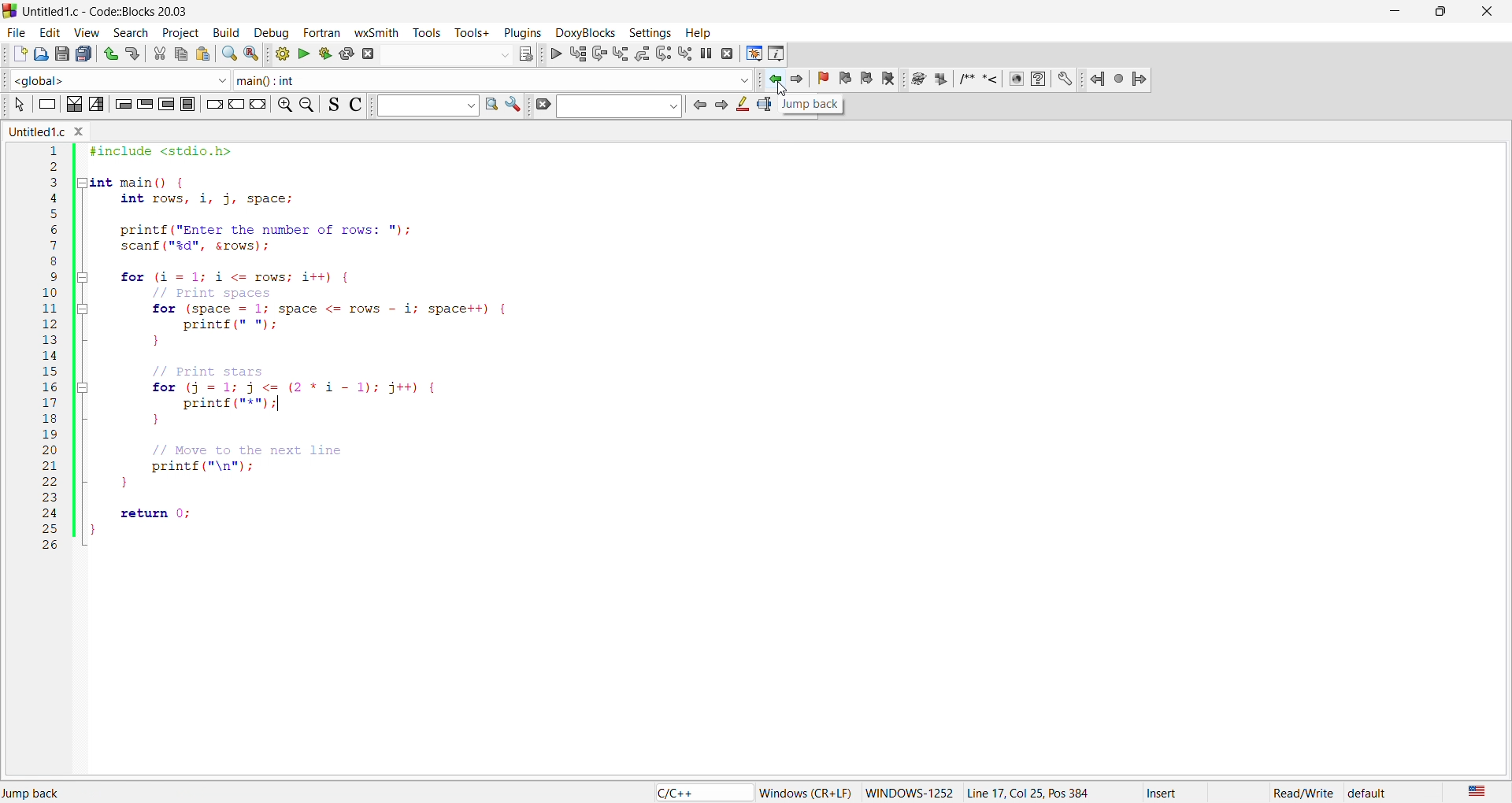 This screenshot has height=803, width=1512. What do you see at coordinates (116, 80) in the screenshot?
I see `function scope` at bounding box center [116, 80].